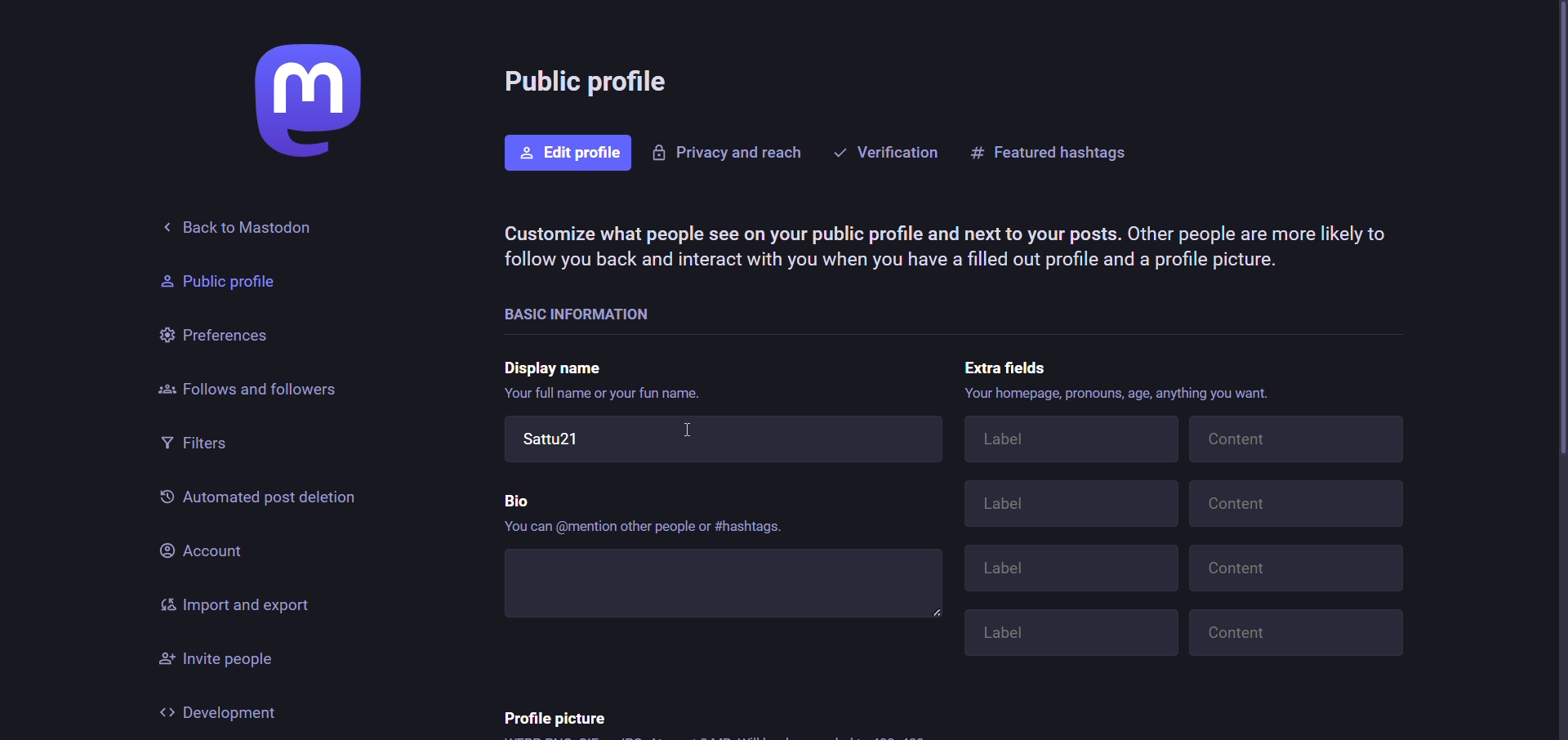  Describe the element at coordinates (1293, 635) in the screenshot. I see `Content ` at that location.